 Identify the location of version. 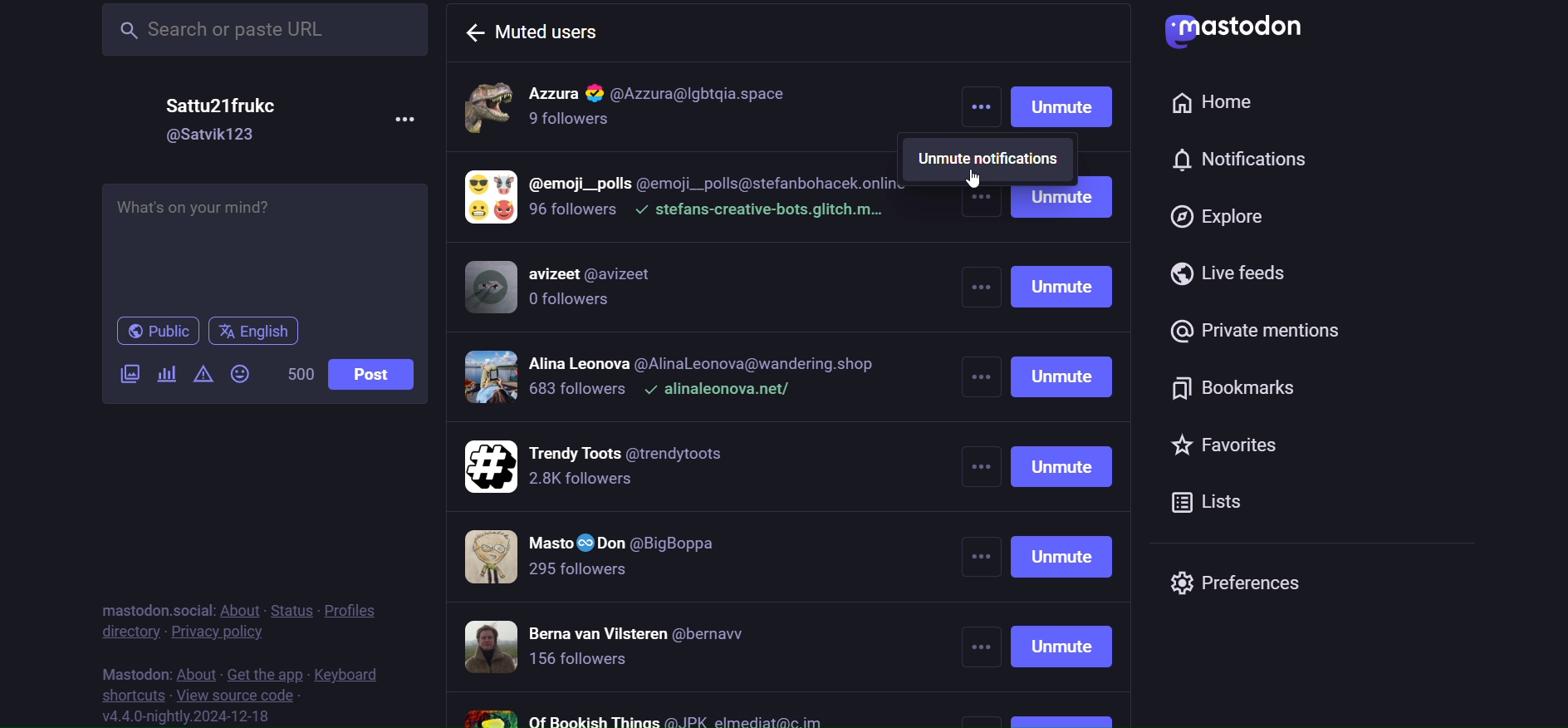
(187, 715).